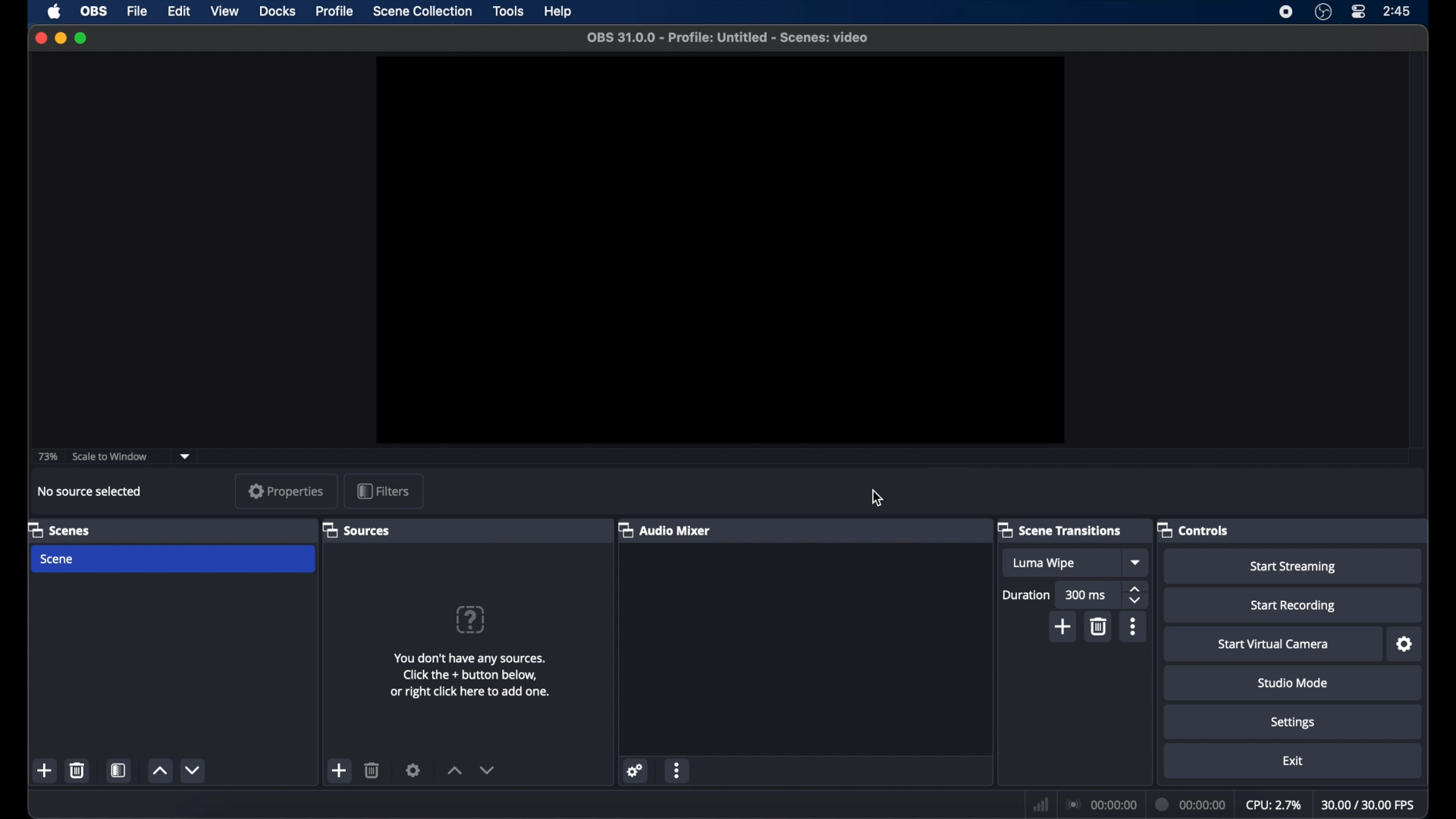 This screenshot has width=1456, height=819. I want to click on settings, so click(414, 769).